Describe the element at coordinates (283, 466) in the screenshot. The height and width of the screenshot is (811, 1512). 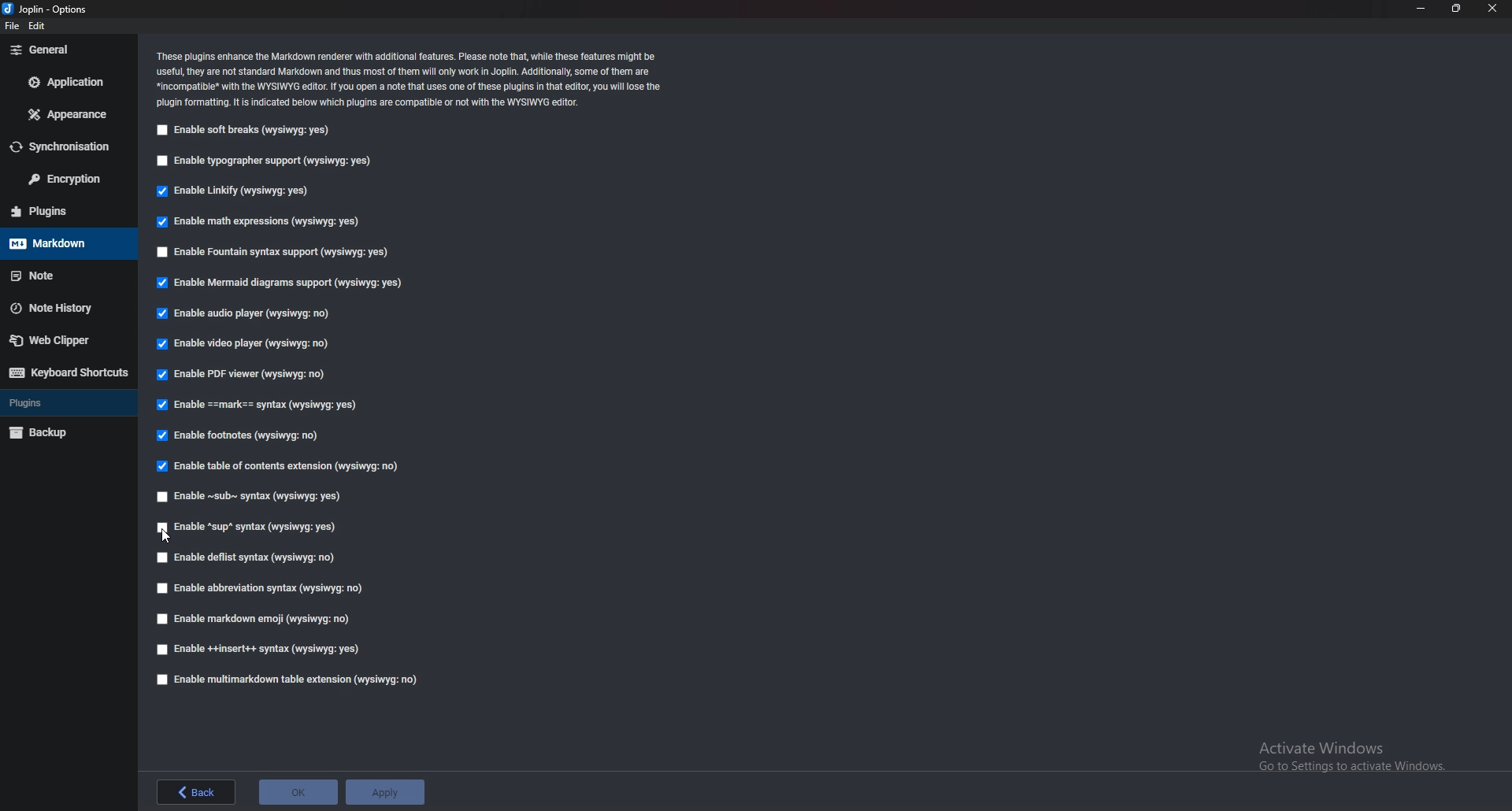
I see `Enable table of contents extension (wysiwyg: no)` at that location.